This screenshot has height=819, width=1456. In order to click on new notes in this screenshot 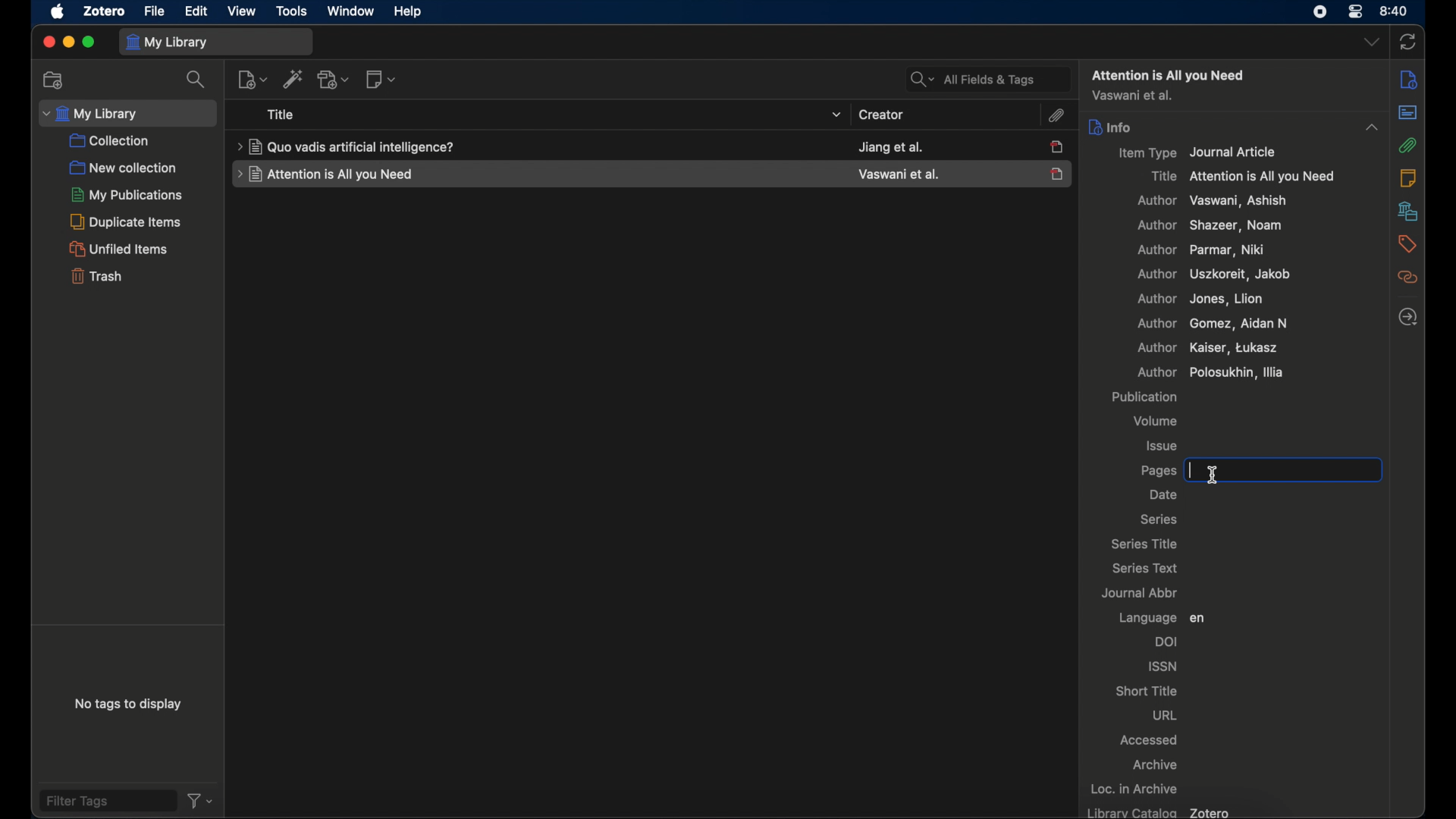, I will do `click(381, 80)`.